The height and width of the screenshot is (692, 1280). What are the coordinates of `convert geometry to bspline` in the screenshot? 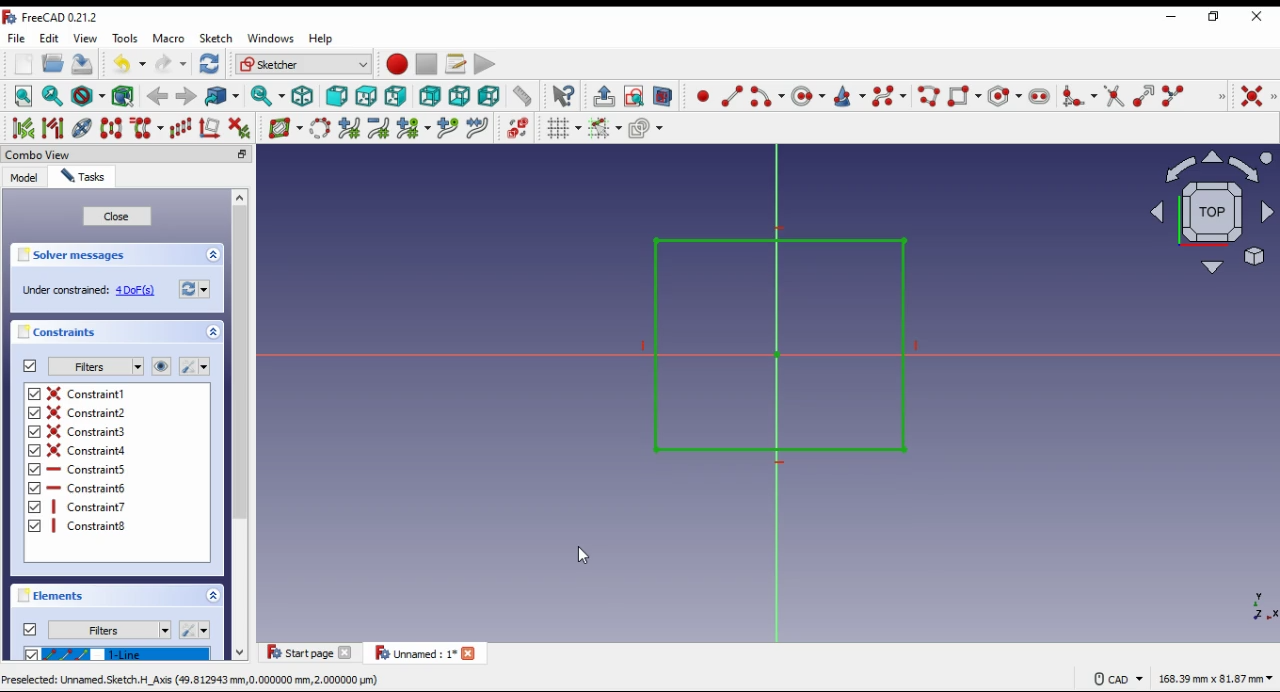 It's located at (321, 129).